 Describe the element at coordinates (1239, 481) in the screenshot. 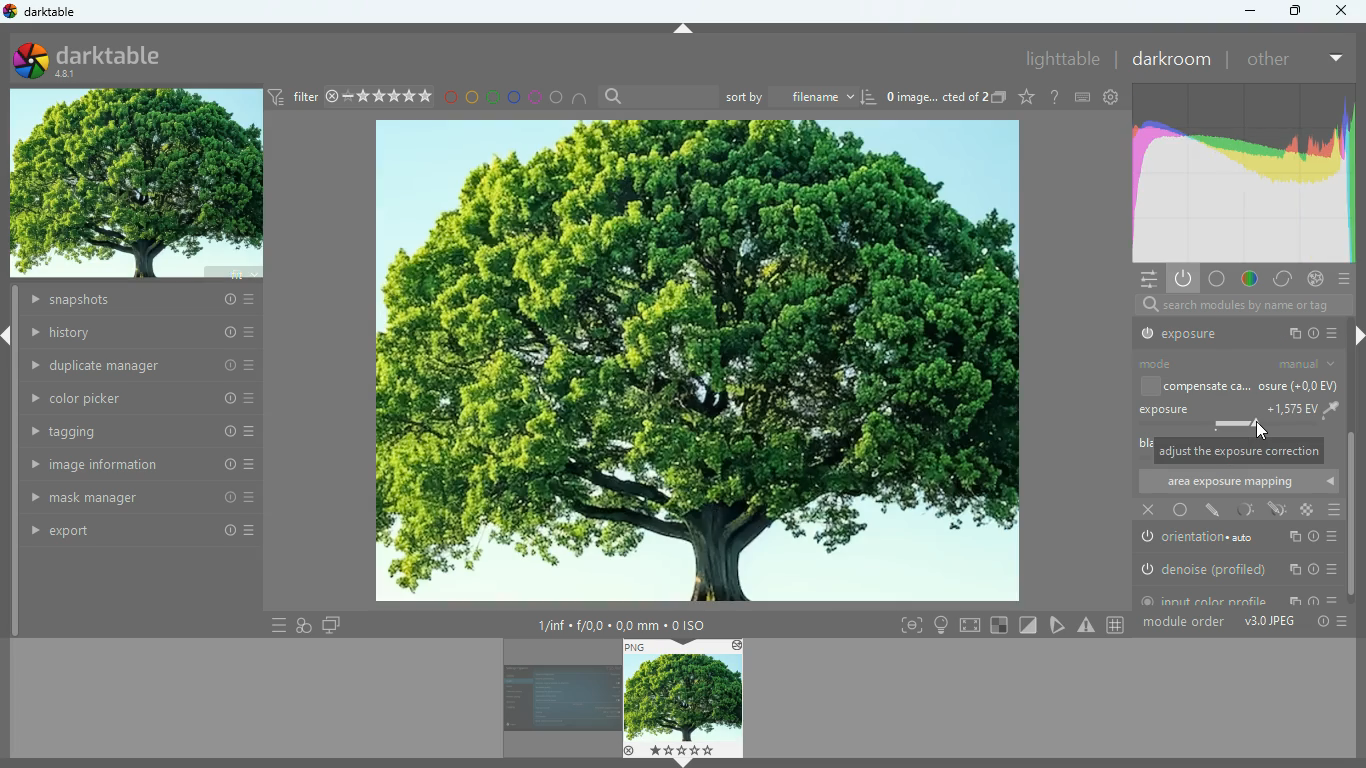

I see `area exposure mapping` at that location.